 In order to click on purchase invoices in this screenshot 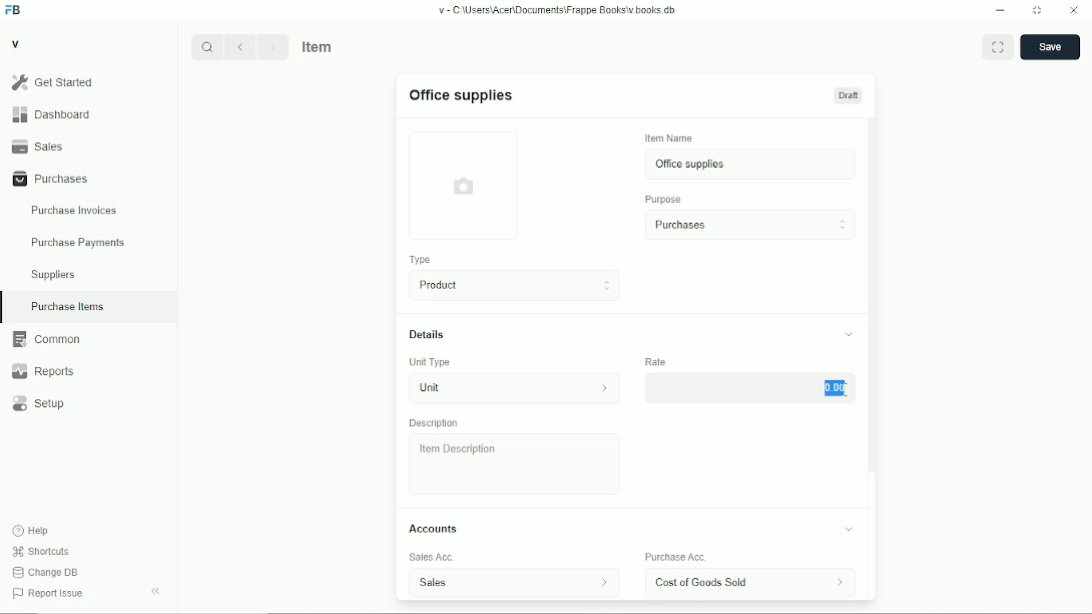, I will do `click(74, 211)`.